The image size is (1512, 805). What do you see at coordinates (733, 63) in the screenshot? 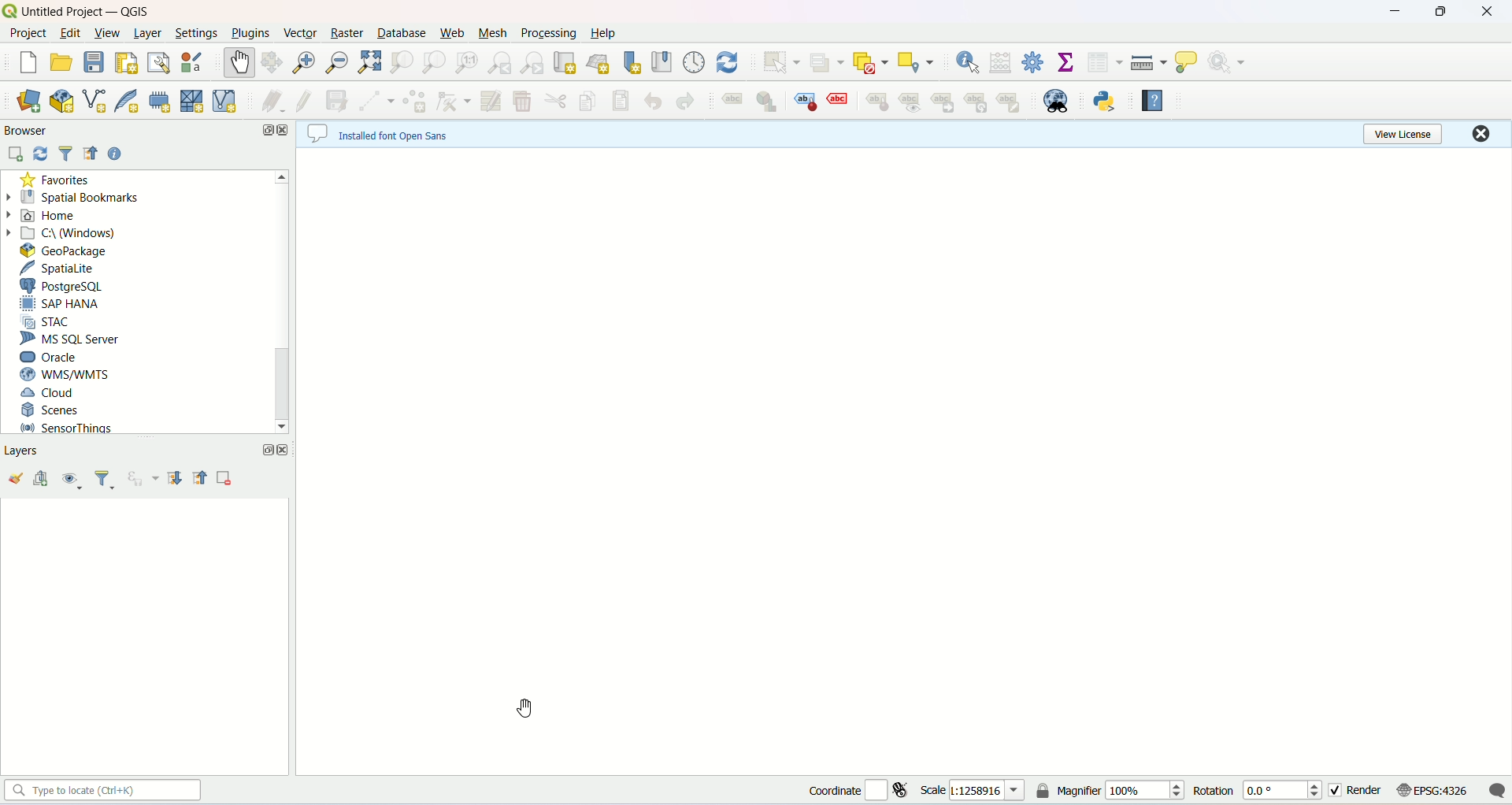
I see `refresh` at bounding box center [733, 63].